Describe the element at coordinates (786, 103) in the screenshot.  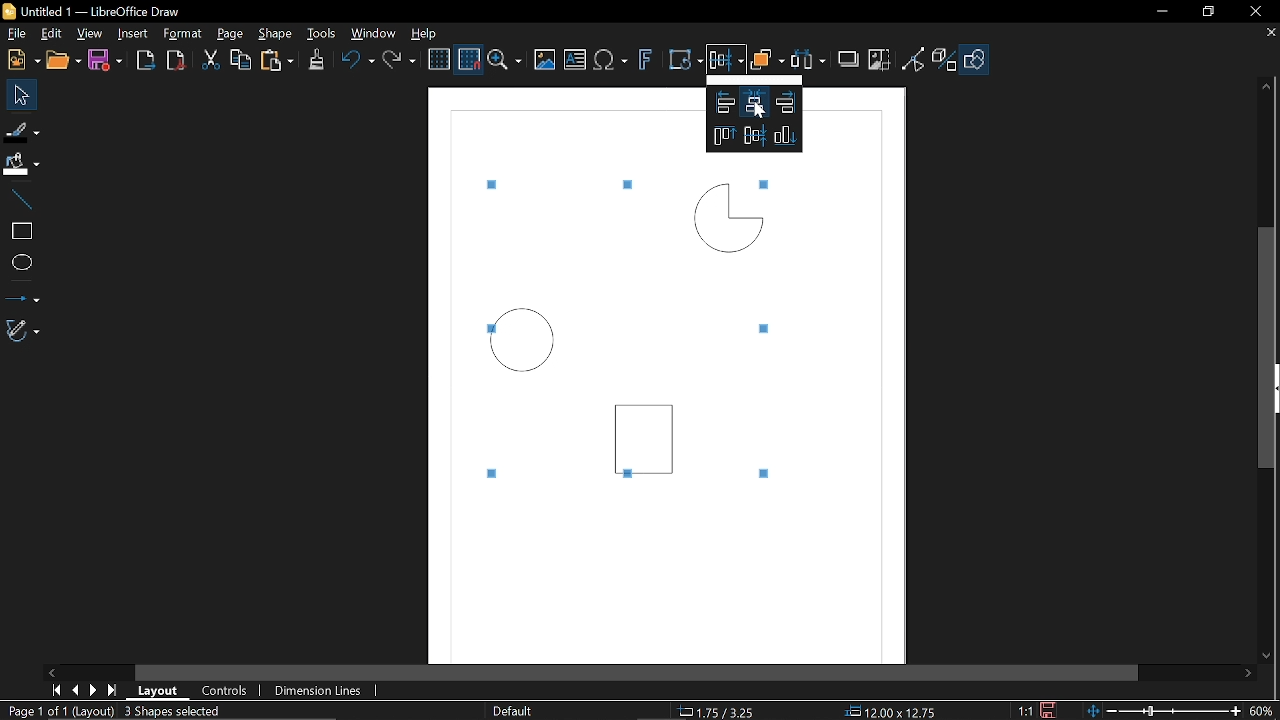
I see `Align right` at that location.